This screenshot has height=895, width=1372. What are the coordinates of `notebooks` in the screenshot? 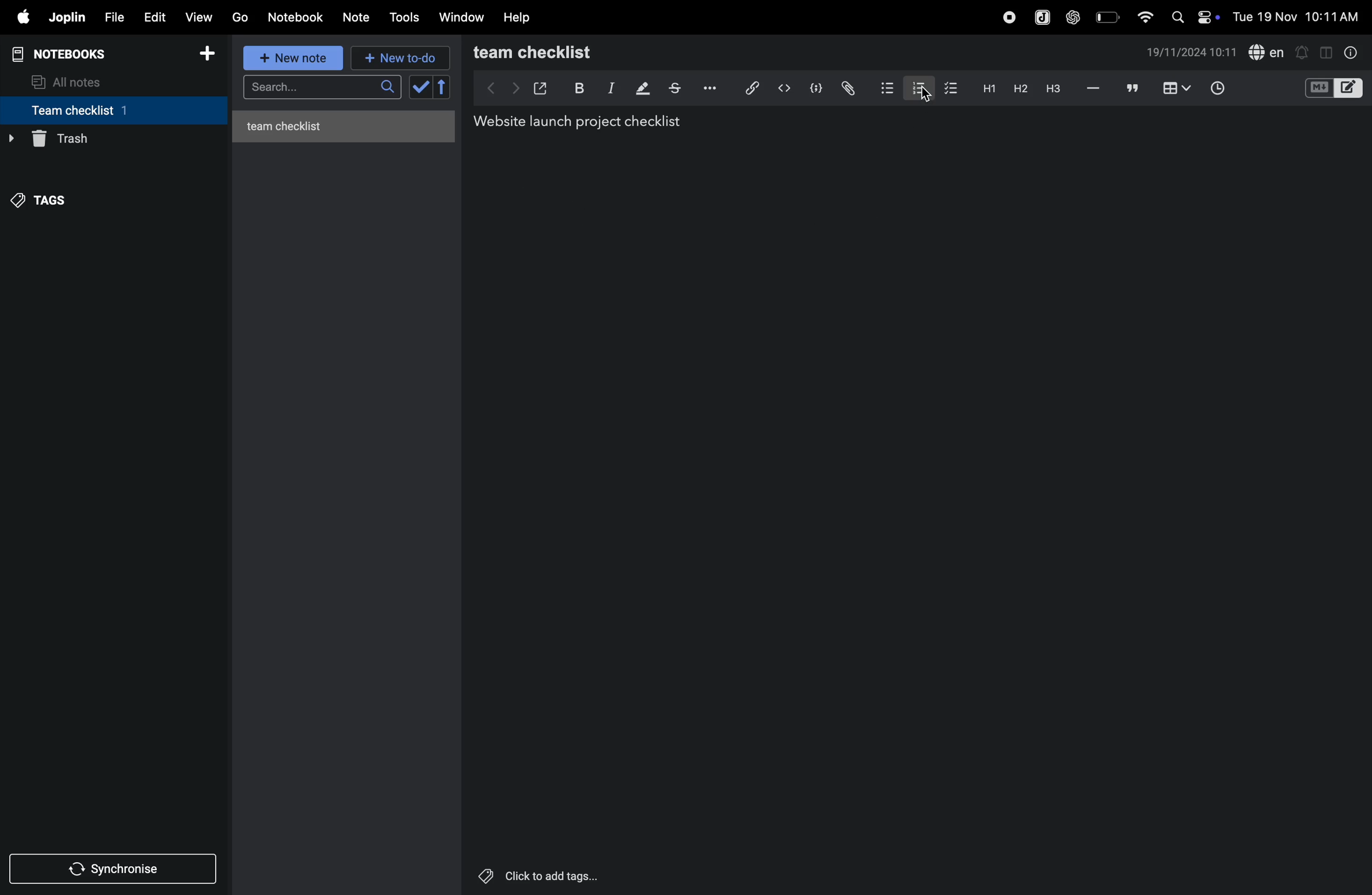 It's located at (66, 52).